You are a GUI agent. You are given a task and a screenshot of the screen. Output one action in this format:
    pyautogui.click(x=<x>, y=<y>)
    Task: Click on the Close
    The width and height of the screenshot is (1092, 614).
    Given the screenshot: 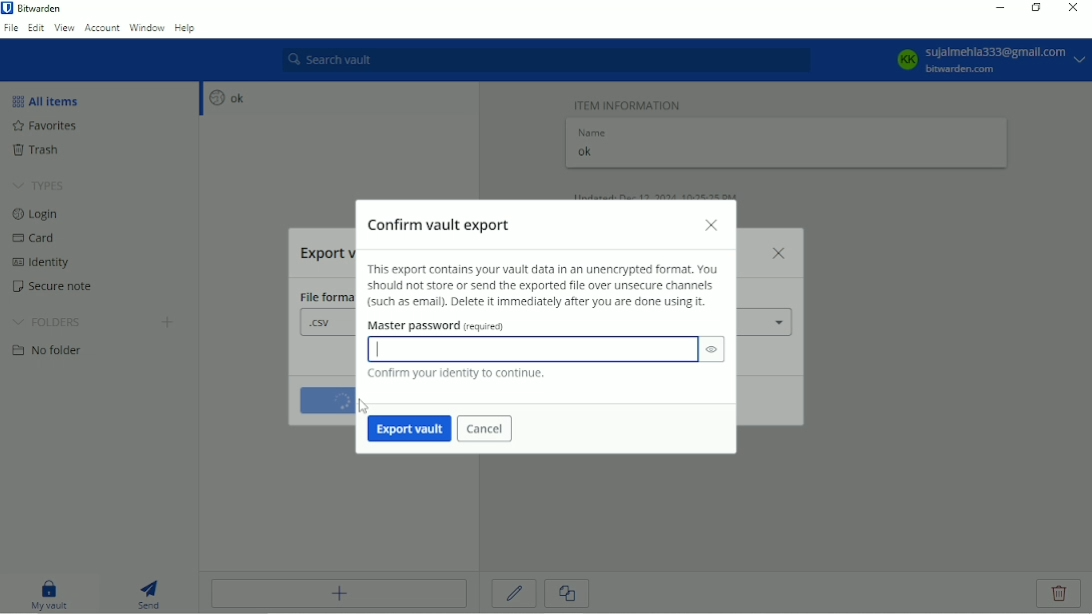 What is the action you would take?
    pyautogui.click(x=1071, y=9)
    